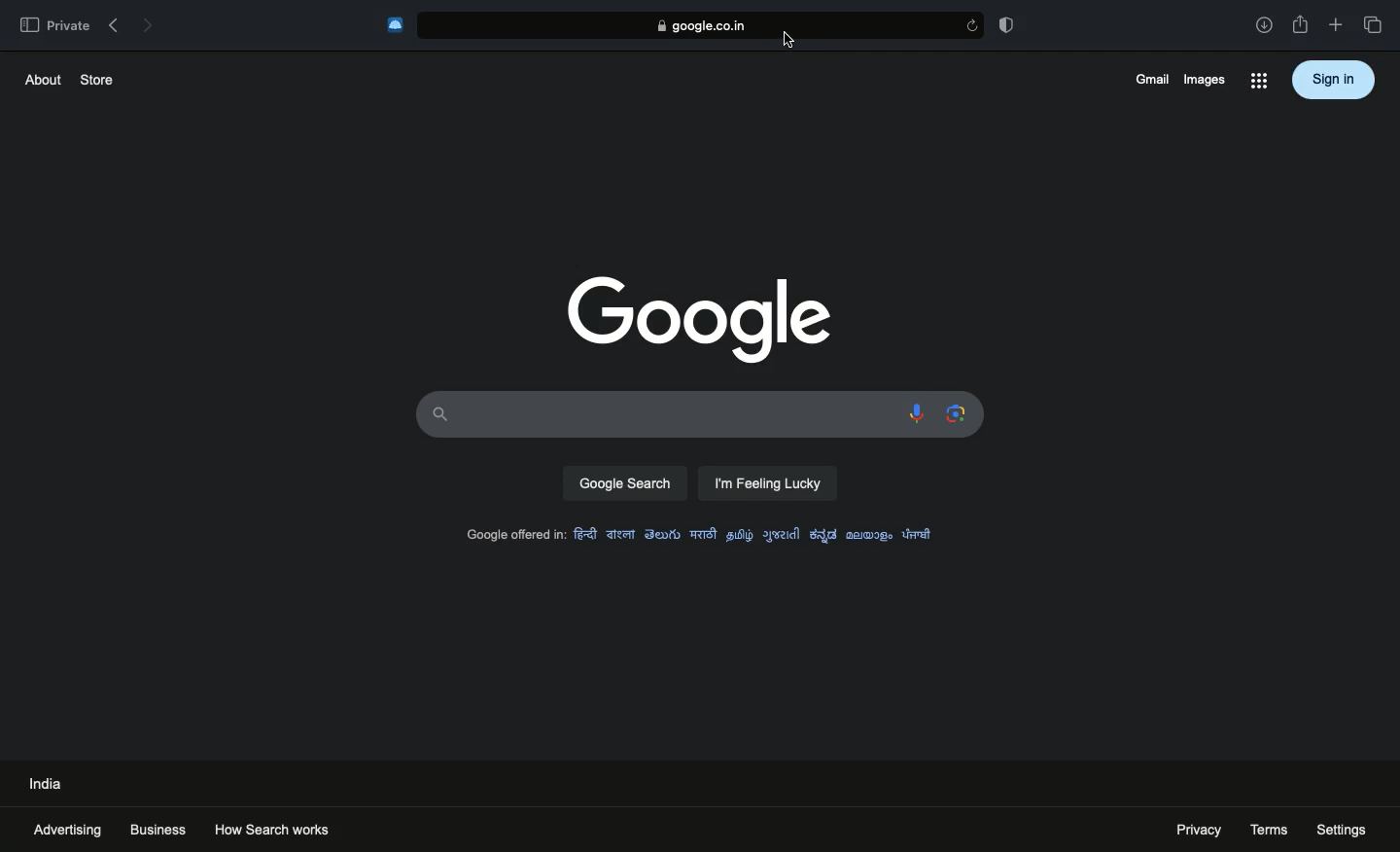  Describe the element at coordinates (53, 24) in the screenshot. I see `private` at that location.